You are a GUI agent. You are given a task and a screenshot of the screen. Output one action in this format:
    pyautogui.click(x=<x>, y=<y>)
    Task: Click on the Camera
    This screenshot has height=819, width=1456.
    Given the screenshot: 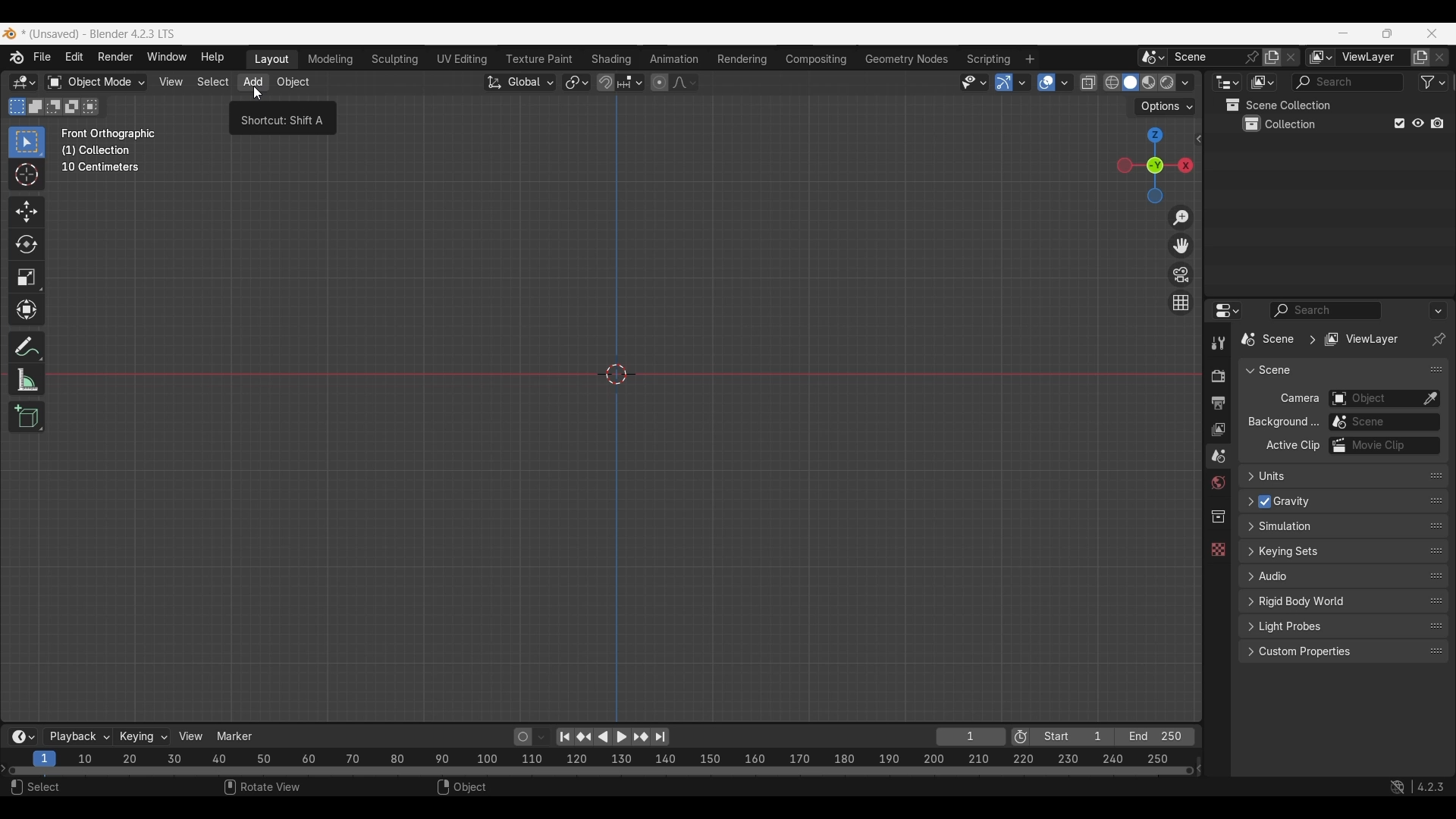 What is the action you would take?
    pyautogui.click(x=1372, y=398)
    